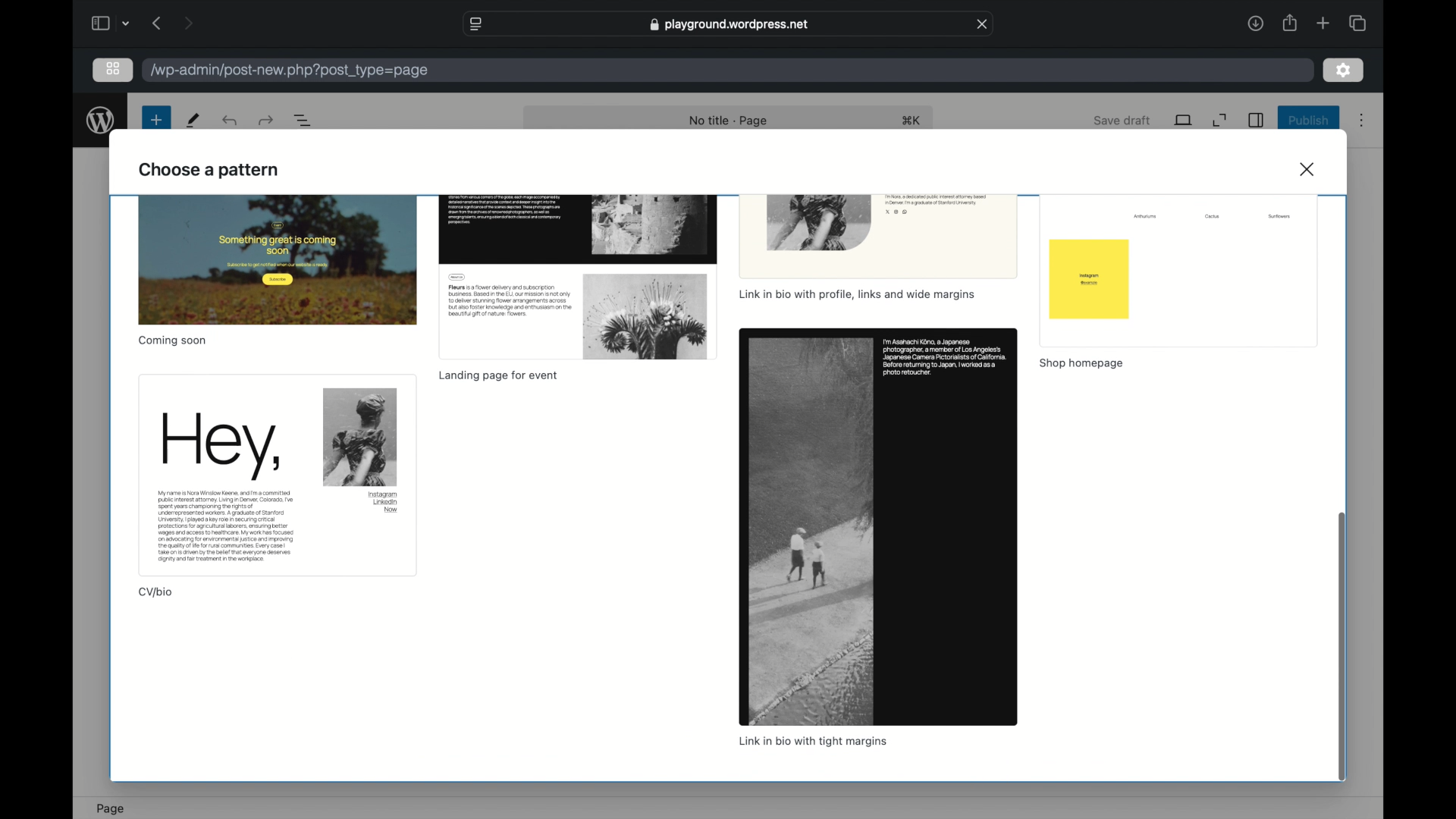 Image resolution: width=1456 pixels, height=819 pixels. Describe the element at coordinates (1357, 24) in the screenshot. I see `show tab overview` at that location.